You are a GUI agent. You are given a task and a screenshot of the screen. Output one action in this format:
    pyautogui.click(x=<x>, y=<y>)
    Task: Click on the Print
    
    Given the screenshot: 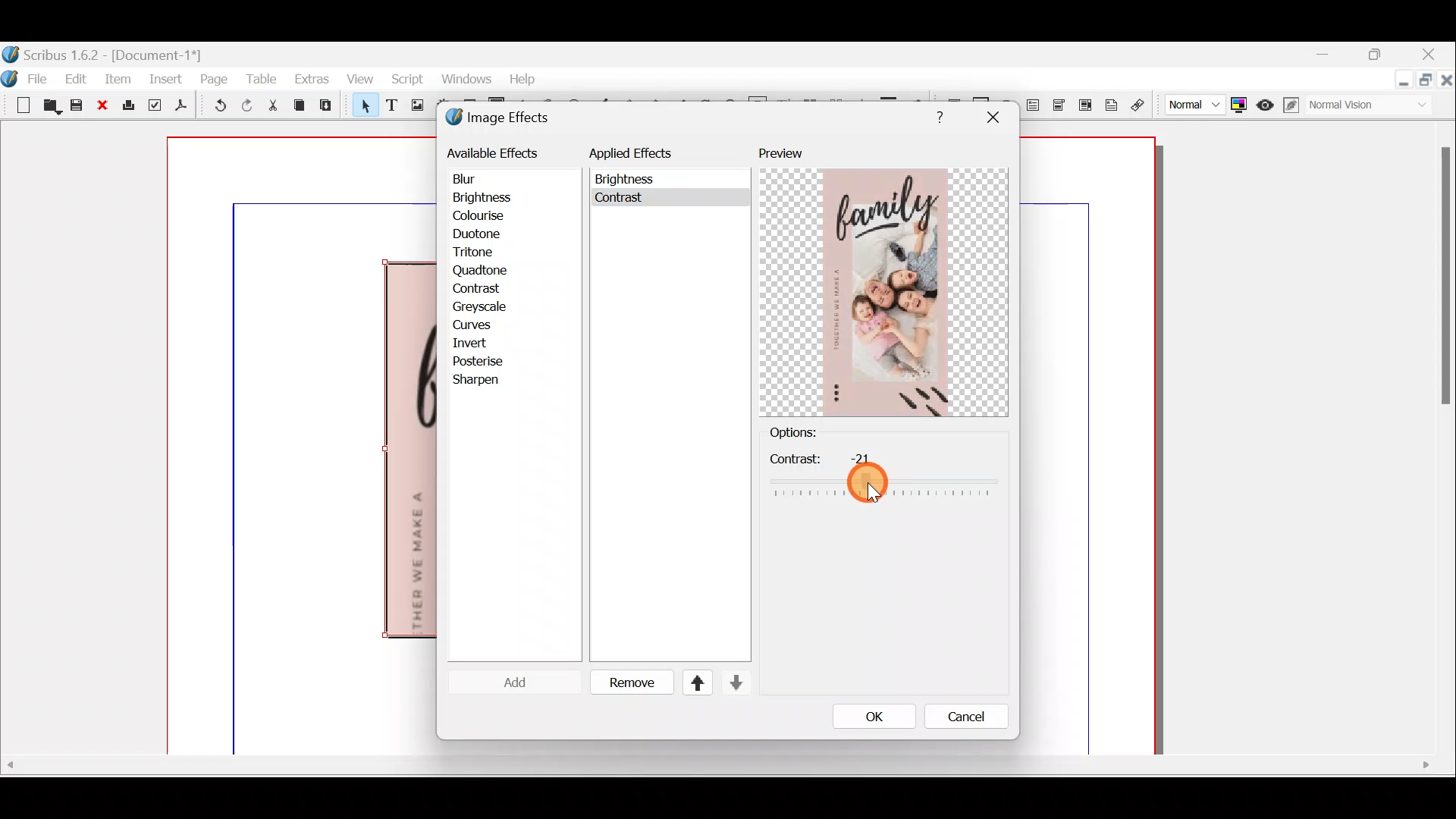 What is the action you would take?
    pyautogui.click(x=130, y=106)
    